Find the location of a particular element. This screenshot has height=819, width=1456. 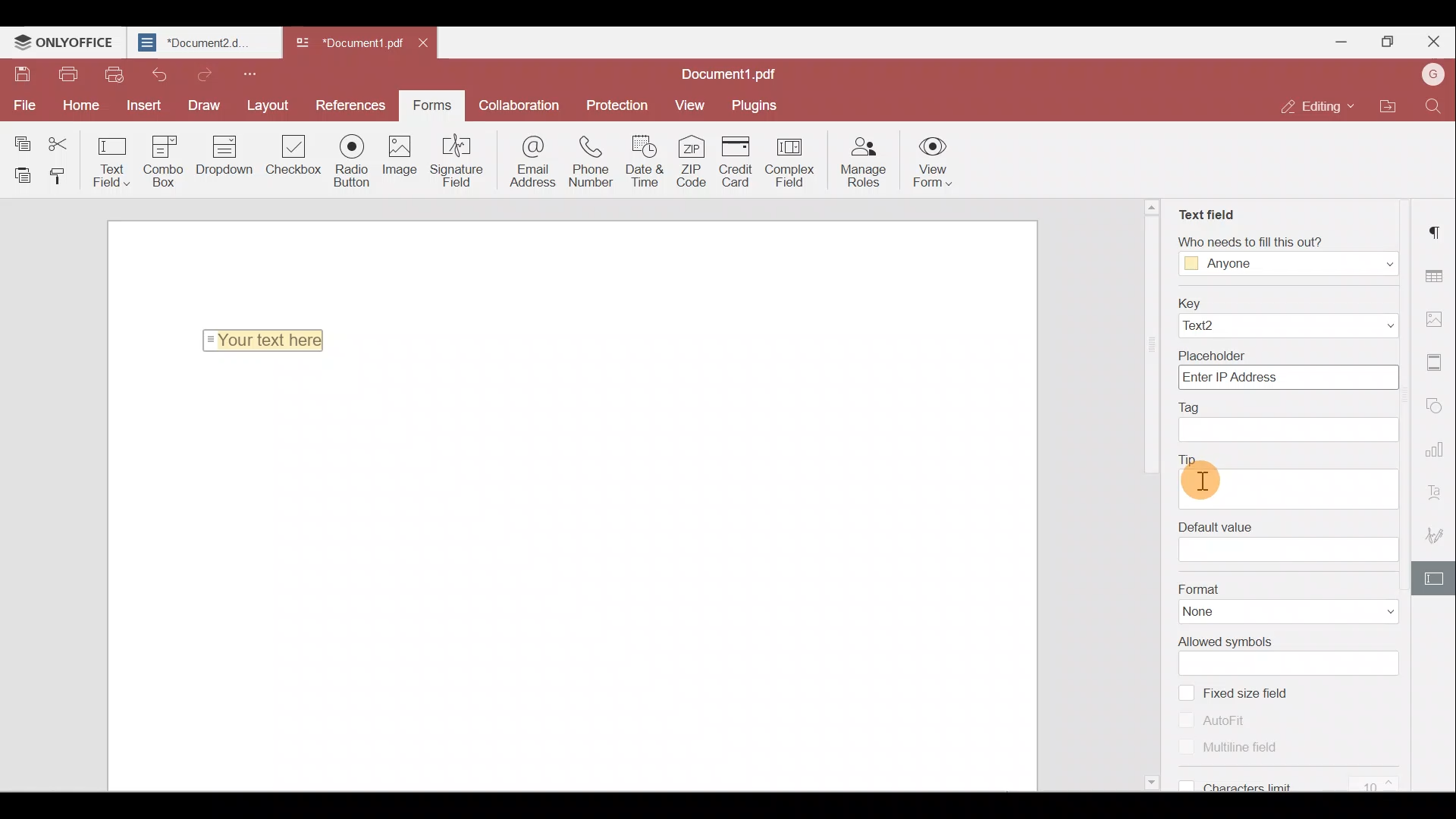

Image is located at coordinates (406, 161).